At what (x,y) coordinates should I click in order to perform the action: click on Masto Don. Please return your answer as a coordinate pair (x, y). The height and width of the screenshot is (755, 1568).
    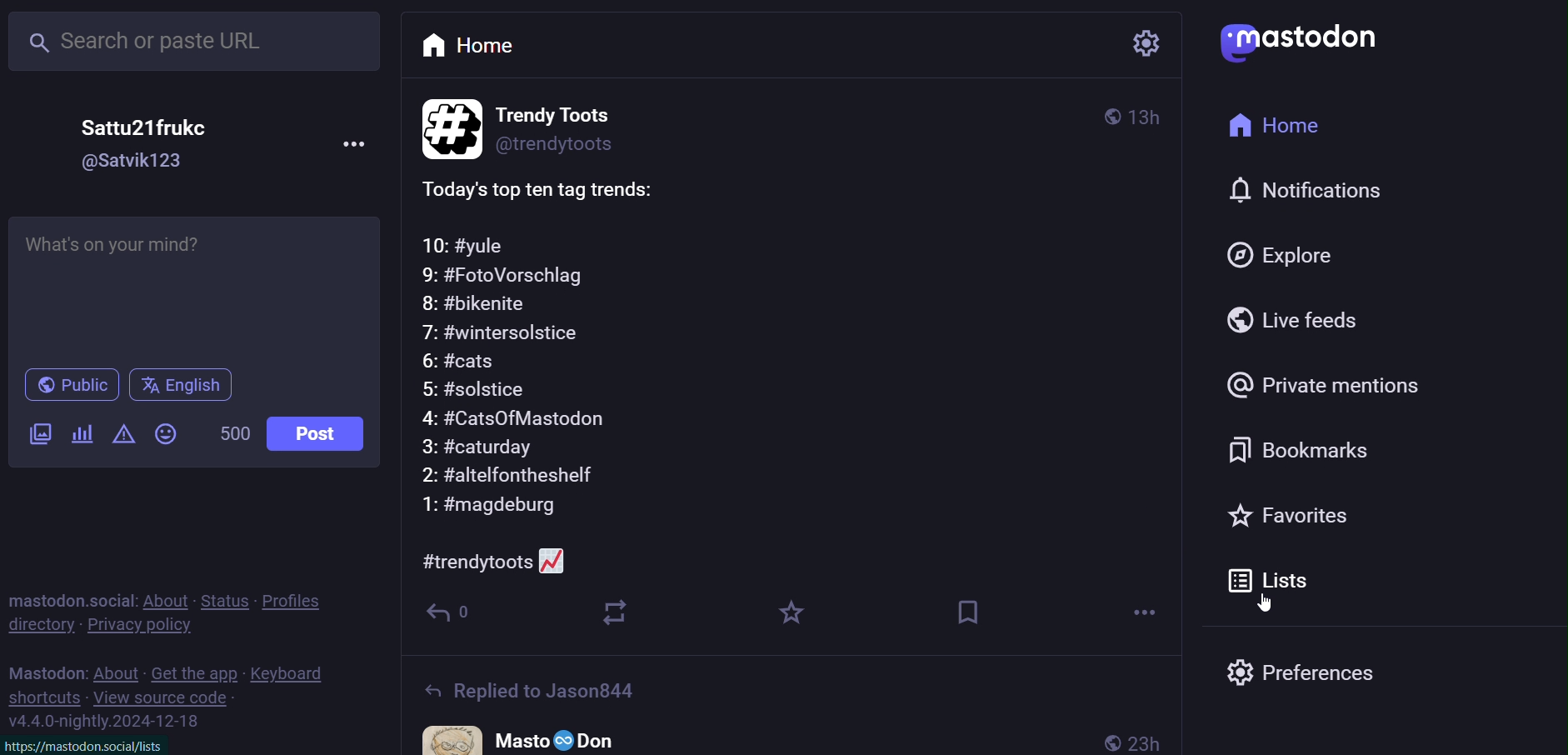
    Looking at the image, I should click on (578, 736).